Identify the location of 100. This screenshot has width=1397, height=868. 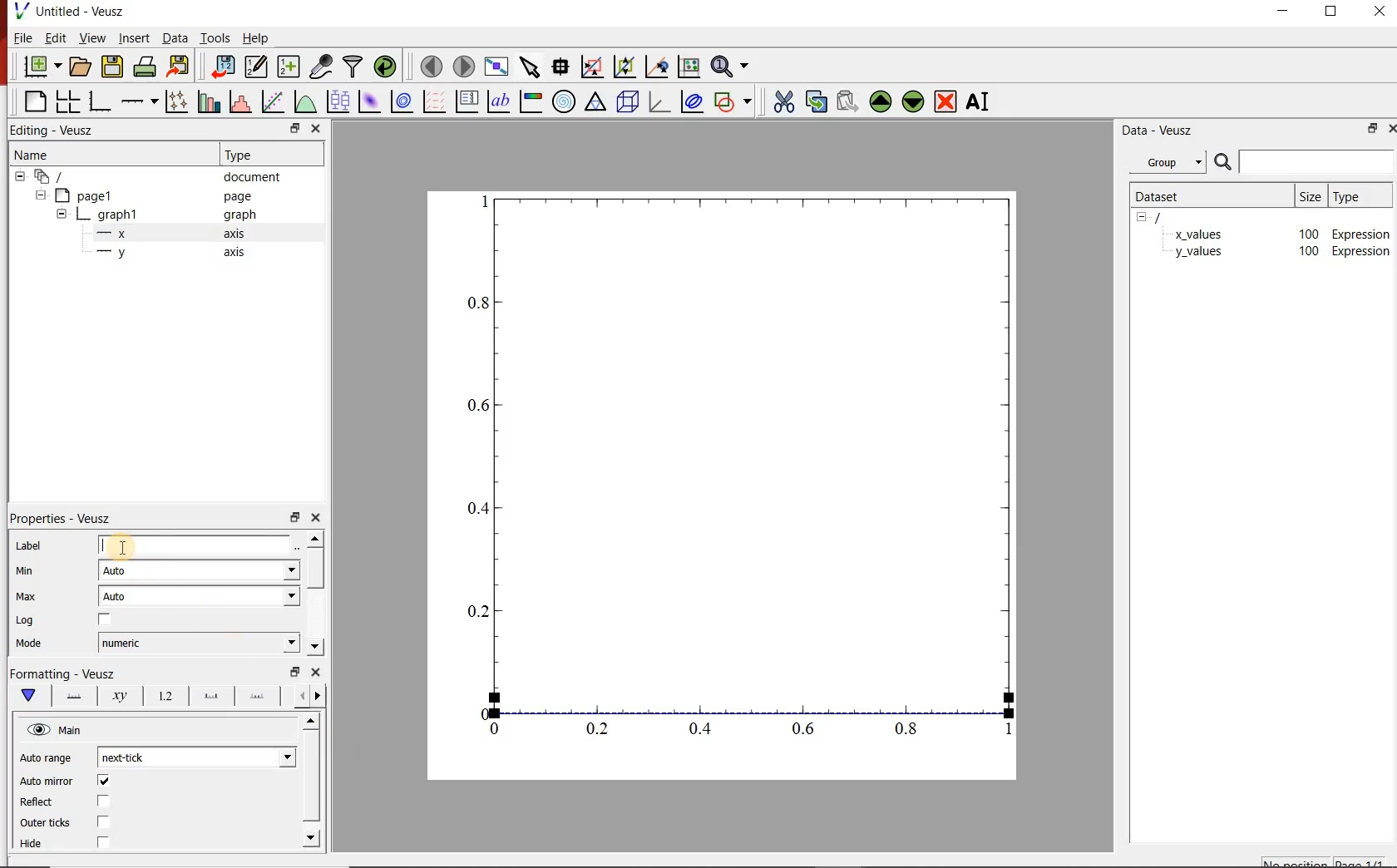
(1307, 253).